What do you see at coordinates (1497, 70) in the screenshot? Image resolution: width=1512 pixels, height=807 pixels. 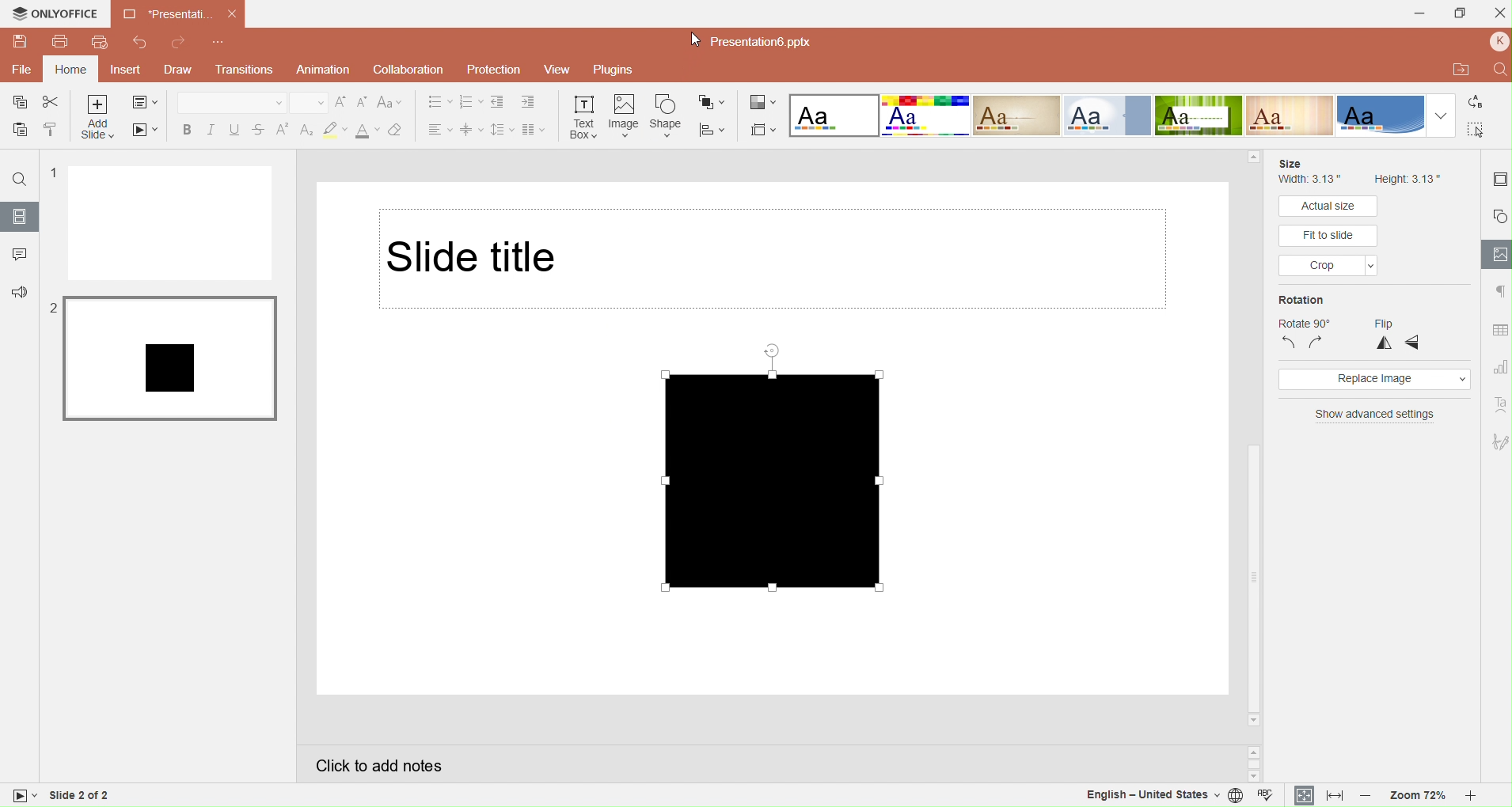 I see `Find` at bounding box center [1497, 70].